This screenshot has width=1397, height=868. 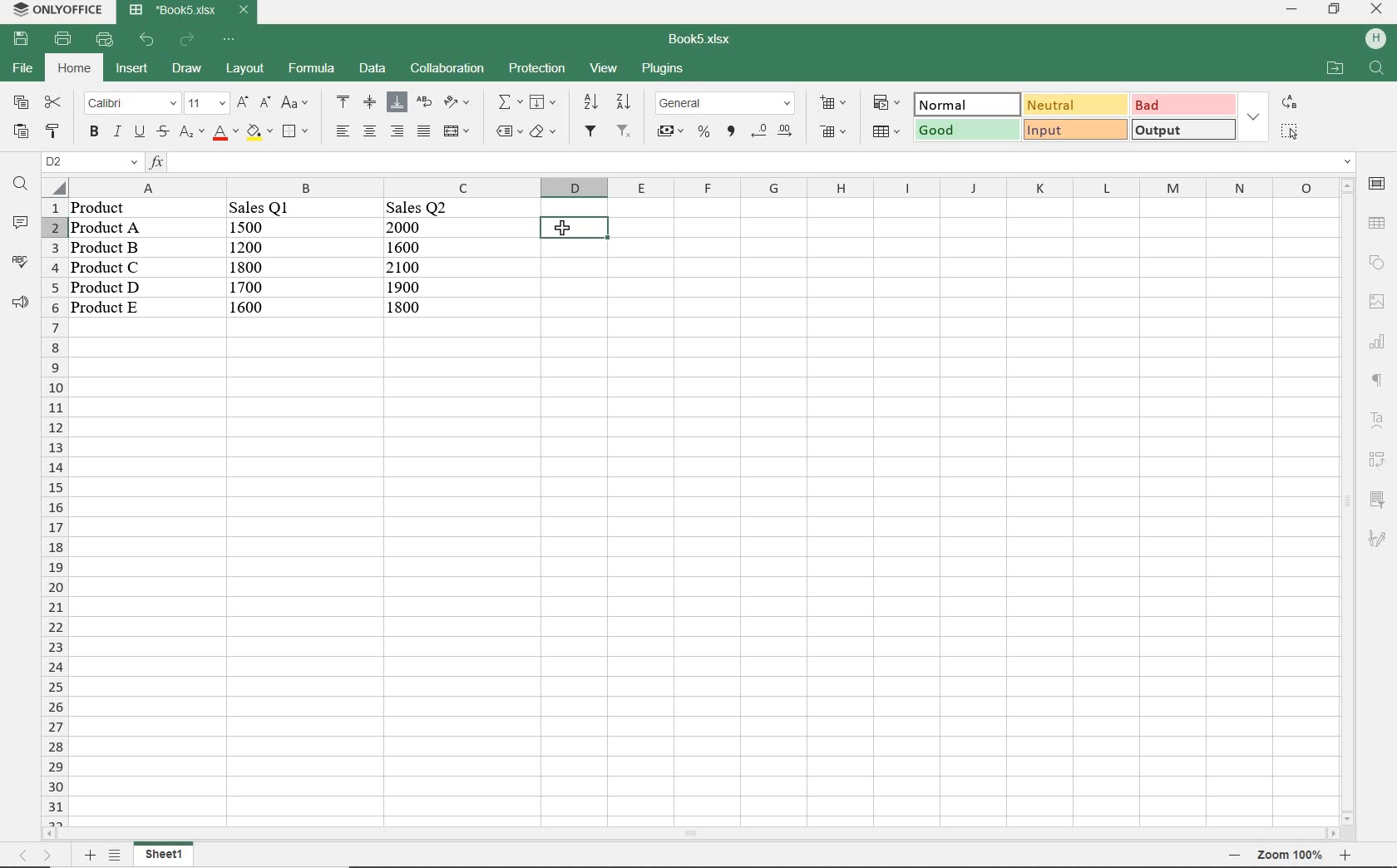 What do you see at coordinates (1283, 856) in the screenshot?
I see `zoom out or zoom in` at bounding box center [1283, 856].